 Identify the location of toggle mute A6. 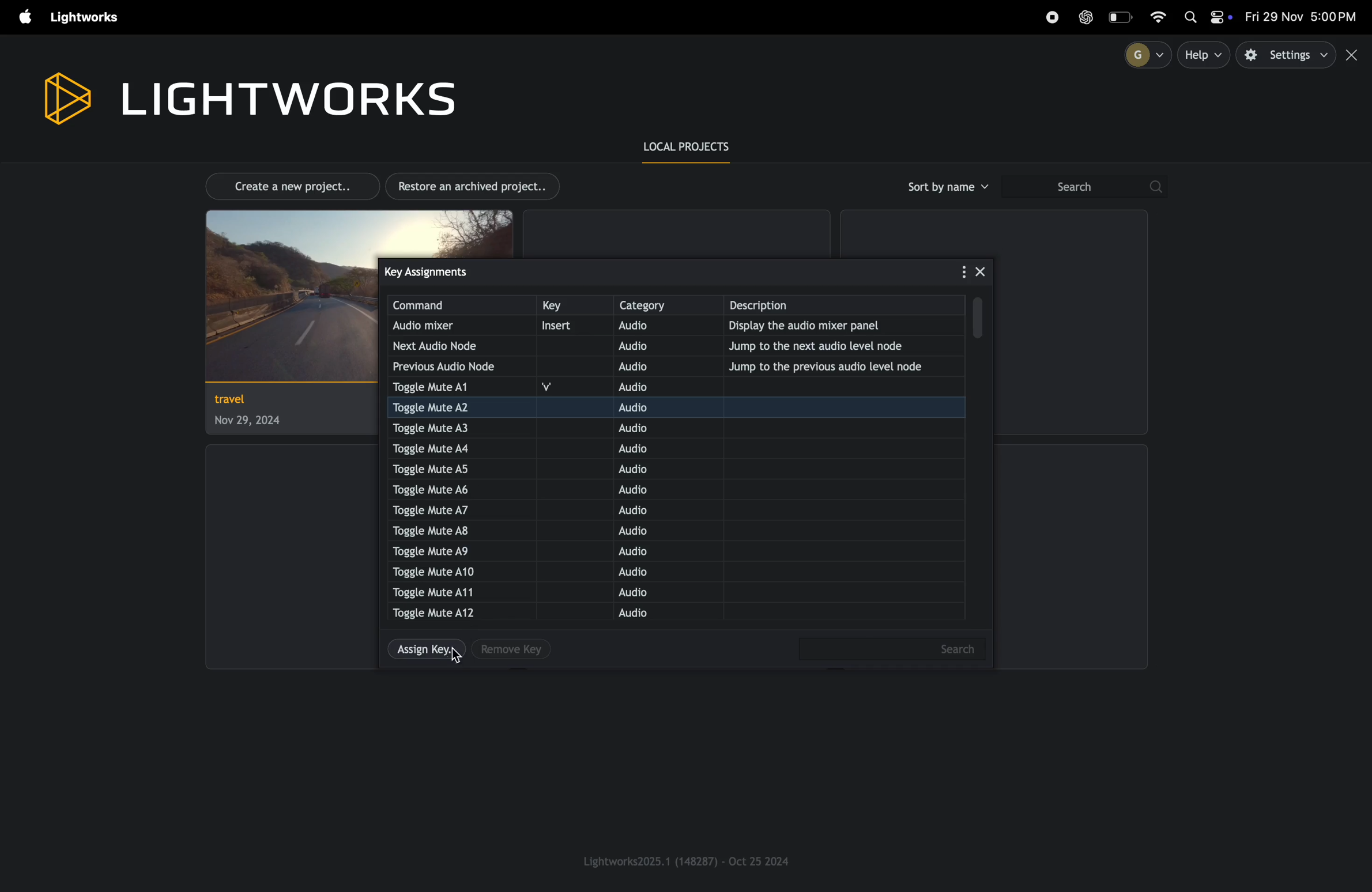
(446, 489).